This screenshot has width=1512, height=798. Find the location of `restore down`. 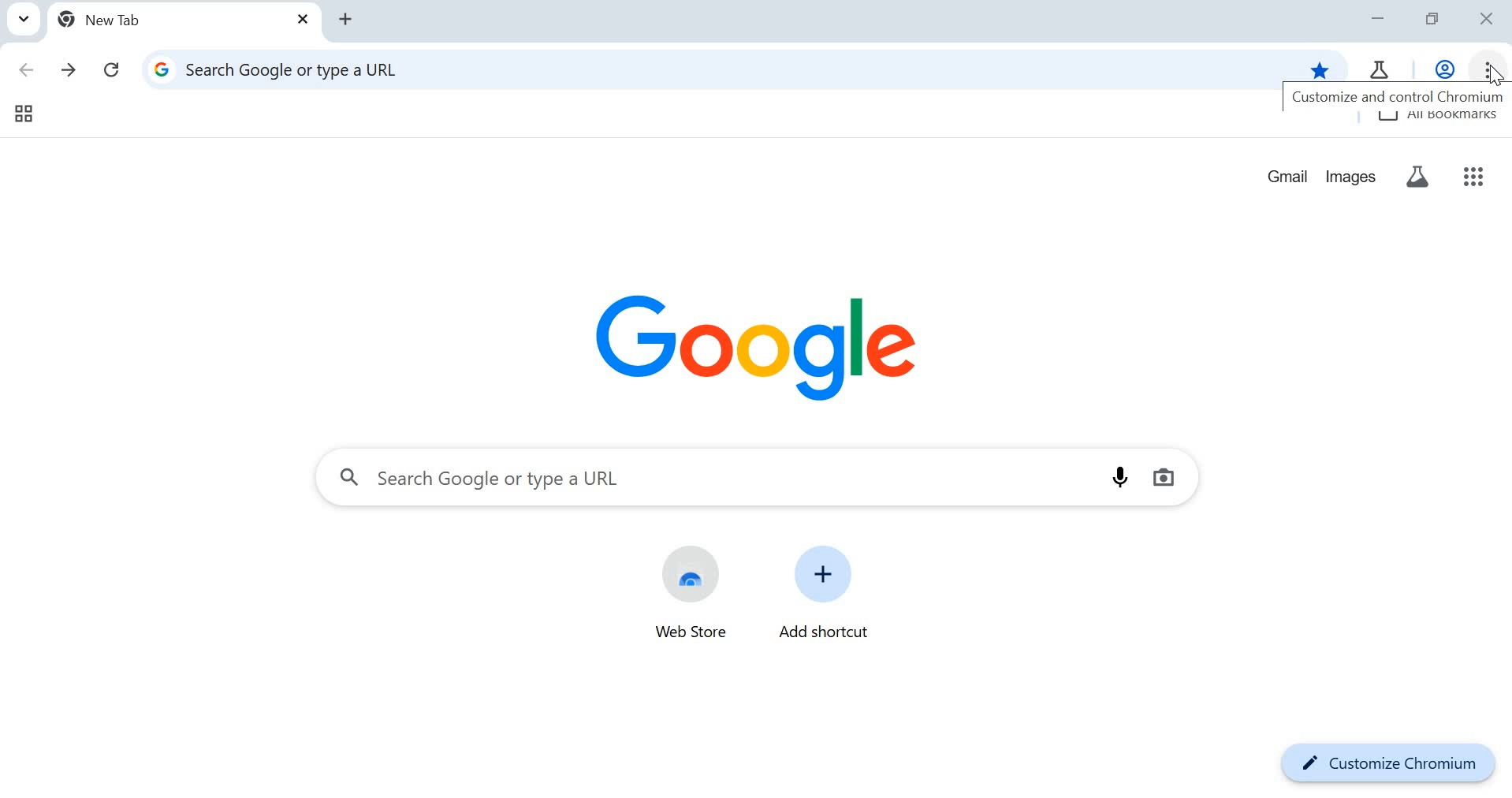

restore down is located at coordinates (1433, 20).